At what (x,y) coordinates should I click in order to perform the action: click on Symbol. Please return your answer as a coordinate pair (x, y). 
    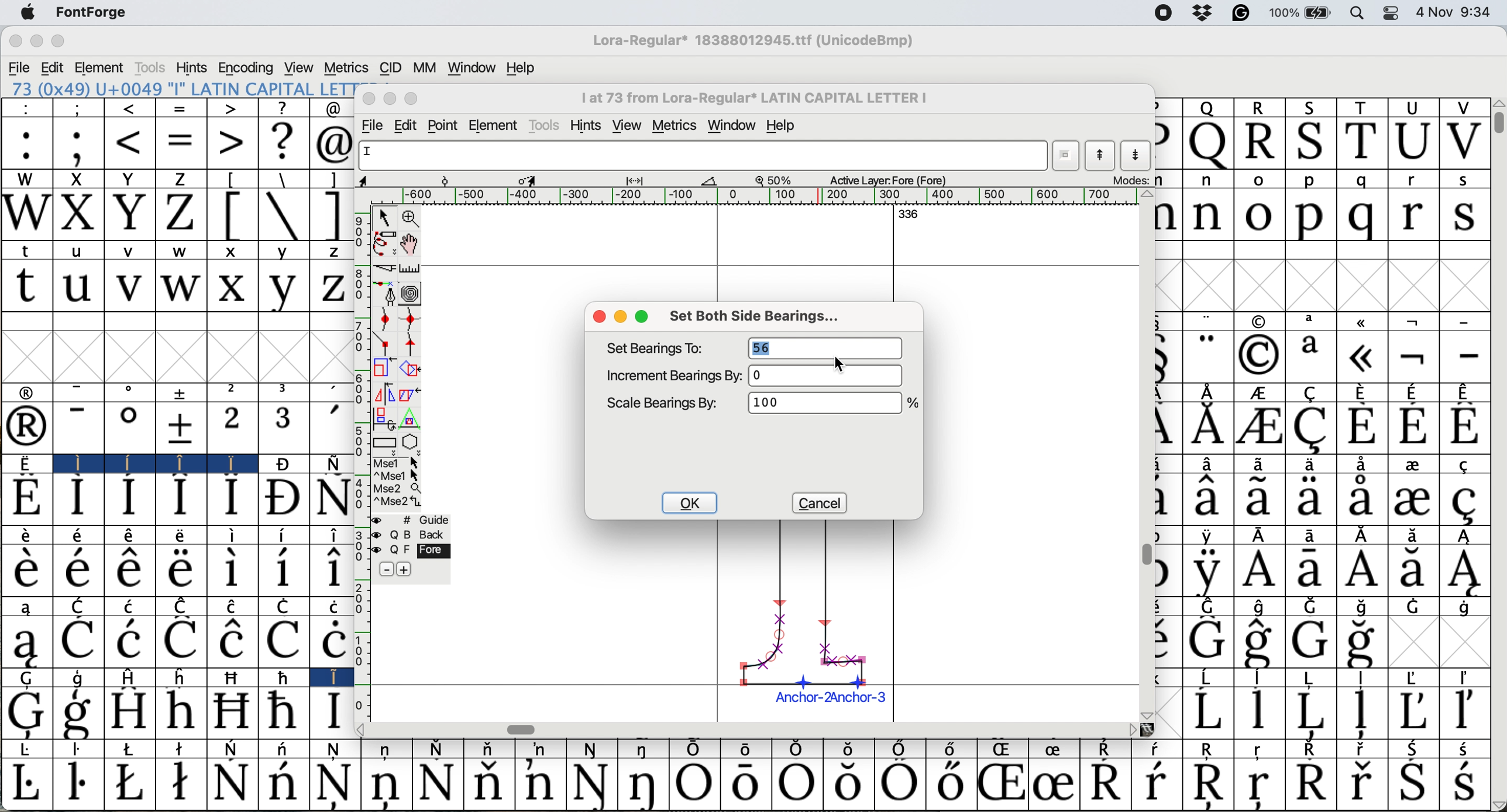
    Looking at the image, I should click on (1258, 570).